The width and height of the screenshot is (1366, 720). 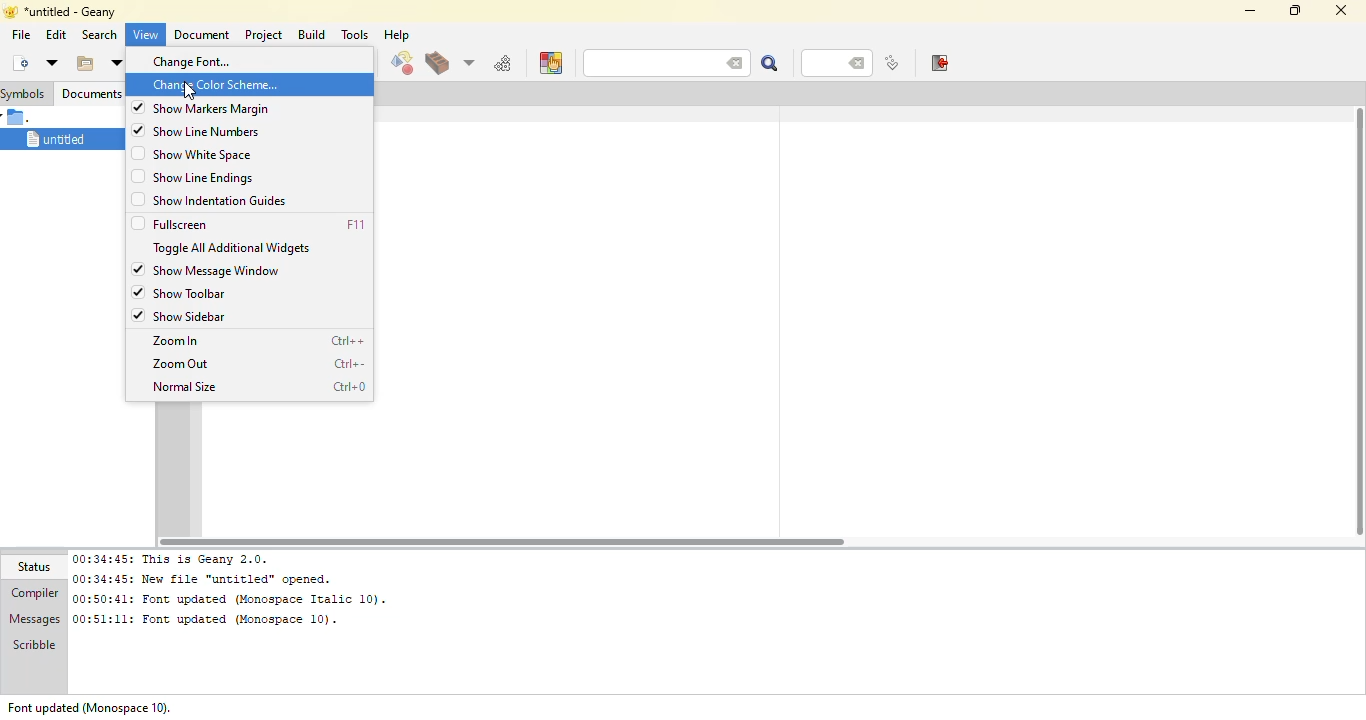 I want to click on line number, so click(x=826, y=63).